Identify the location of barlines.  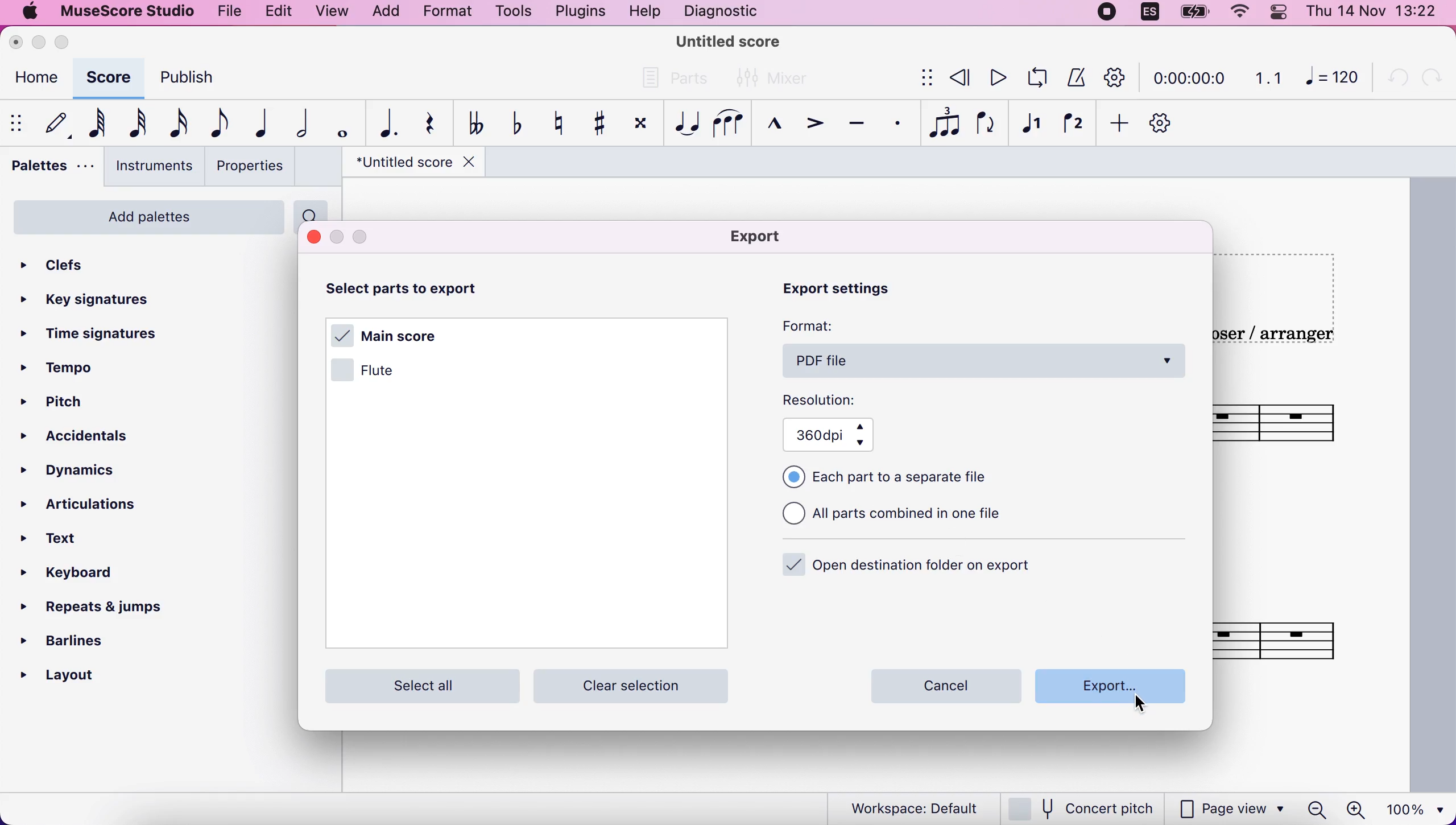
(78, 643).